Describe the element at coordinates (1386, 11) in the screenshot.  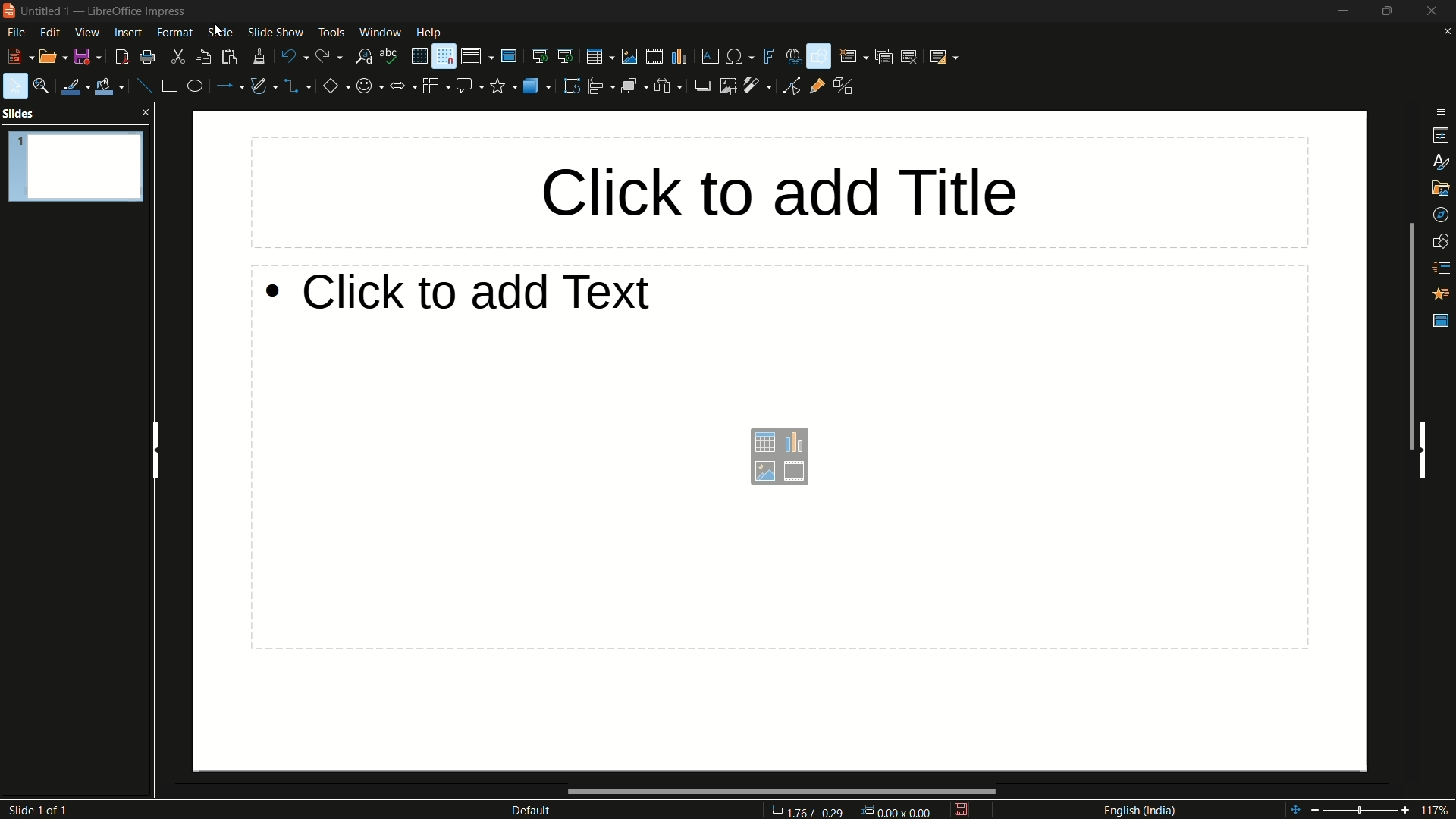
I see `maximize` at that location.